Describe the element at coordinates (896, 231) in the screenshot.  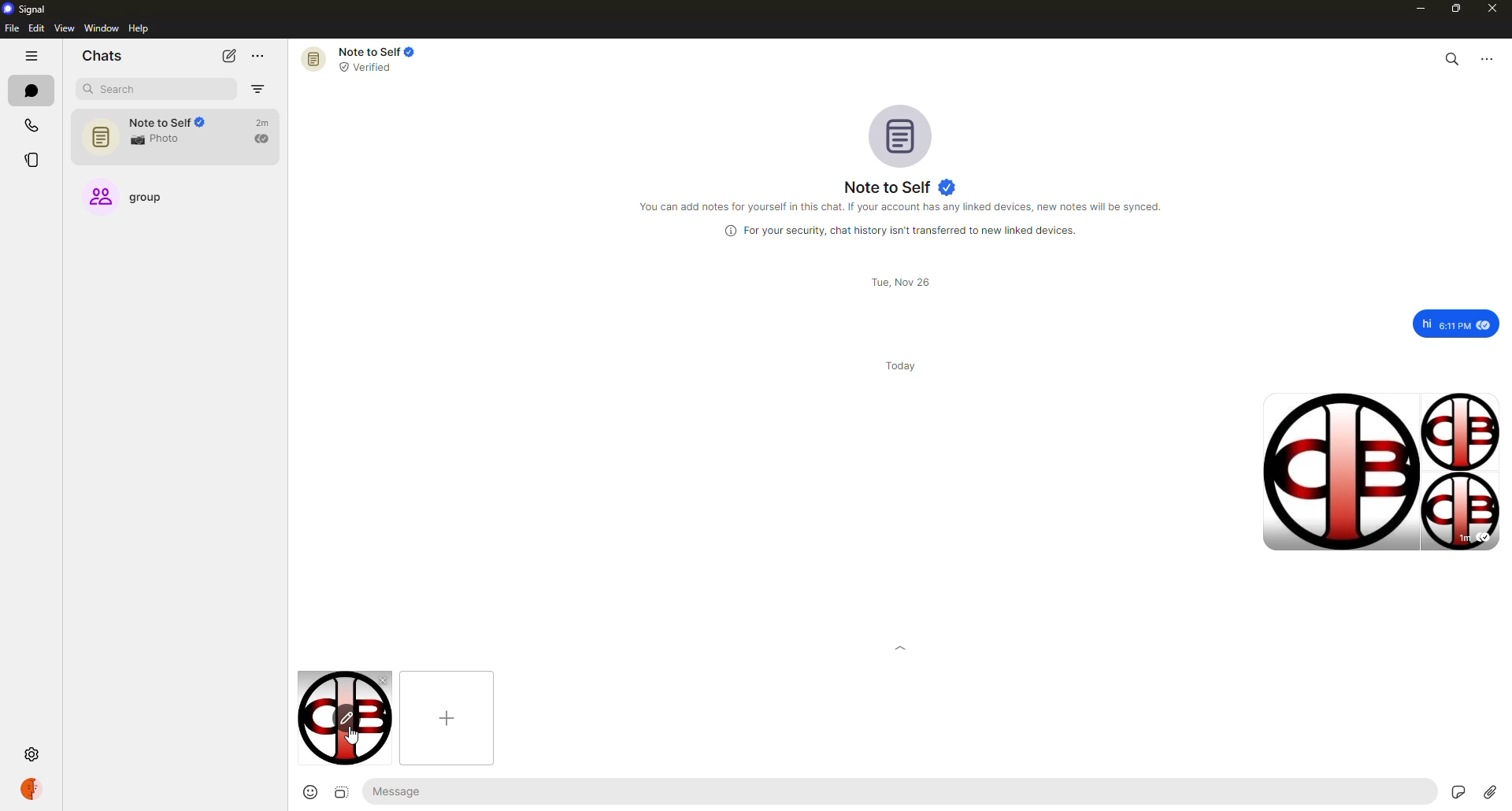
I see `info` at that location.